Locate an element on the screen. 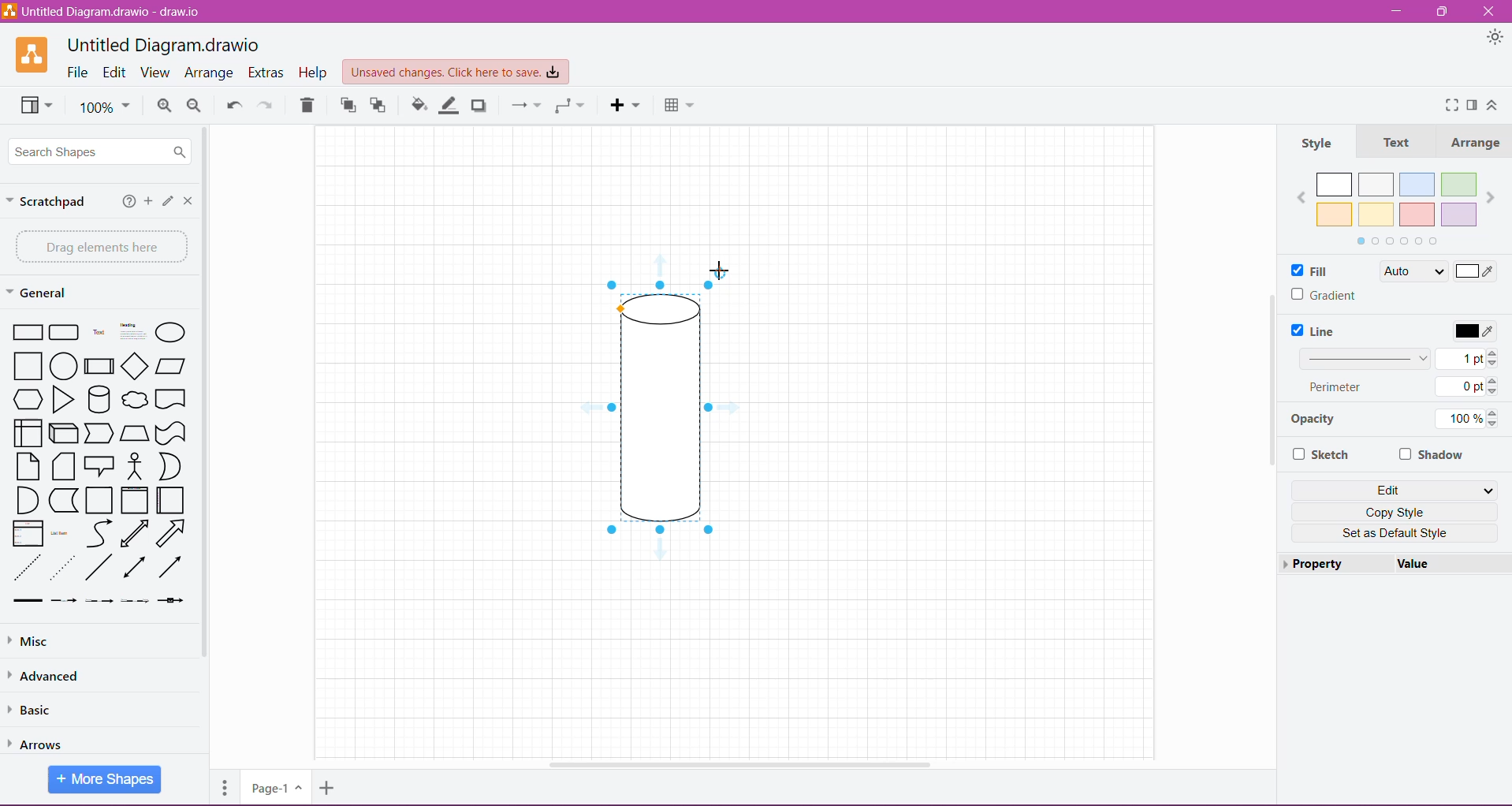 This screenshot has width=1512, height=806. Edit is located at coordinates (166, 201).